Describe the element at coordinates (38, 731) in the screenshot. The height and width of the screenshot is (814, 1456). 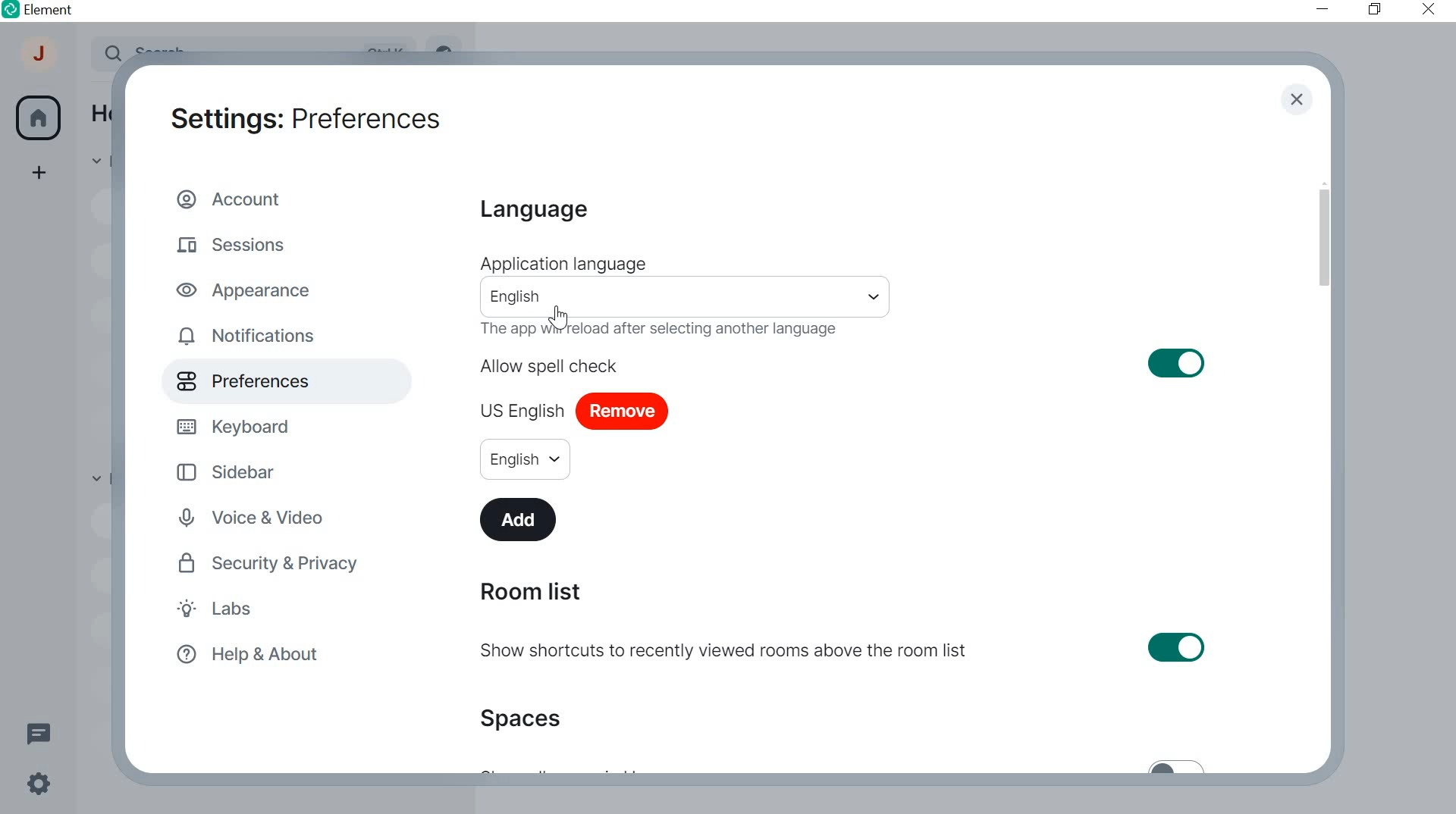
I see `THREADS` at that location.